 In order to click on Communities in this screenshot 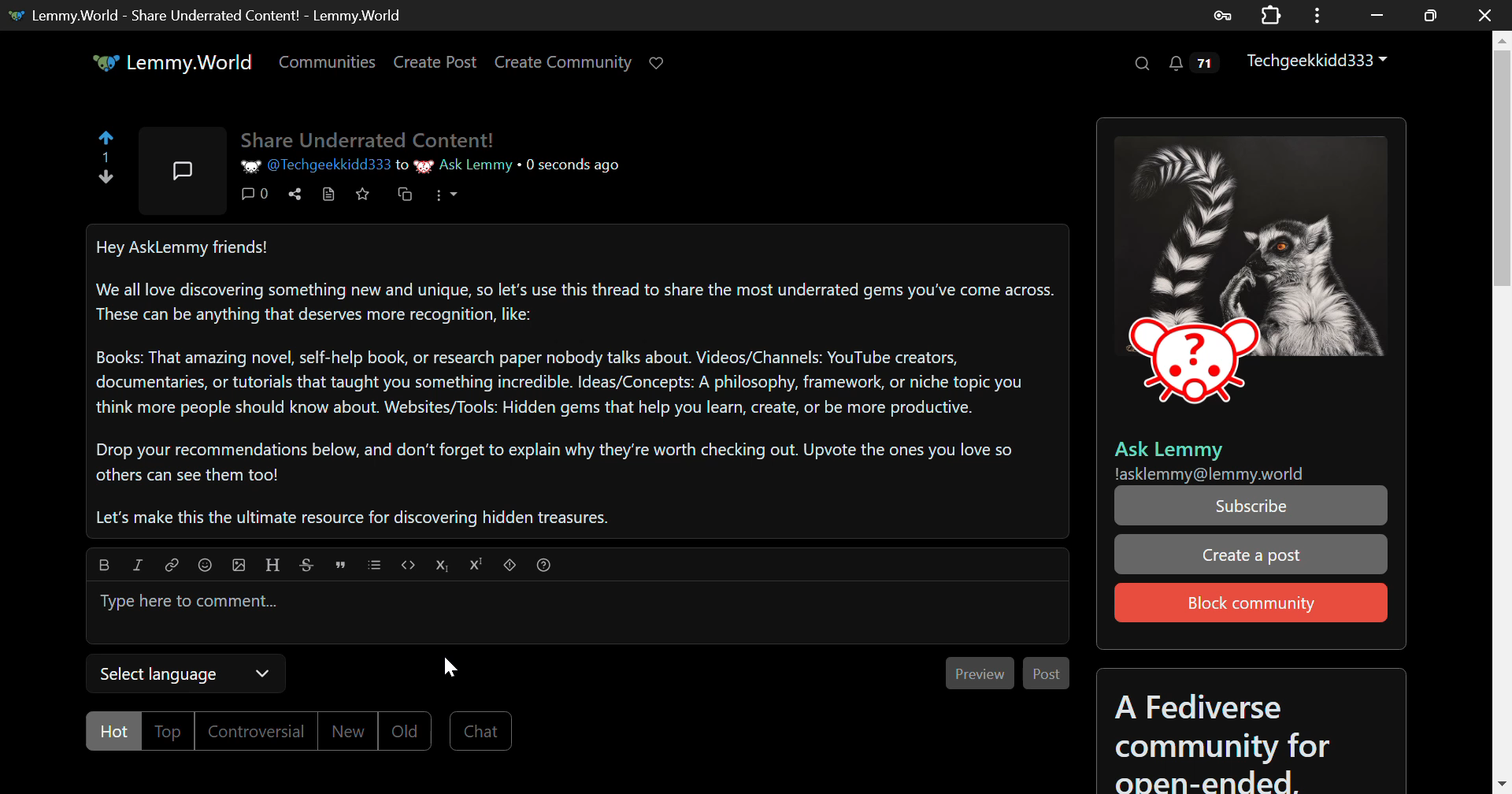, I will do `click(325, 62)`.